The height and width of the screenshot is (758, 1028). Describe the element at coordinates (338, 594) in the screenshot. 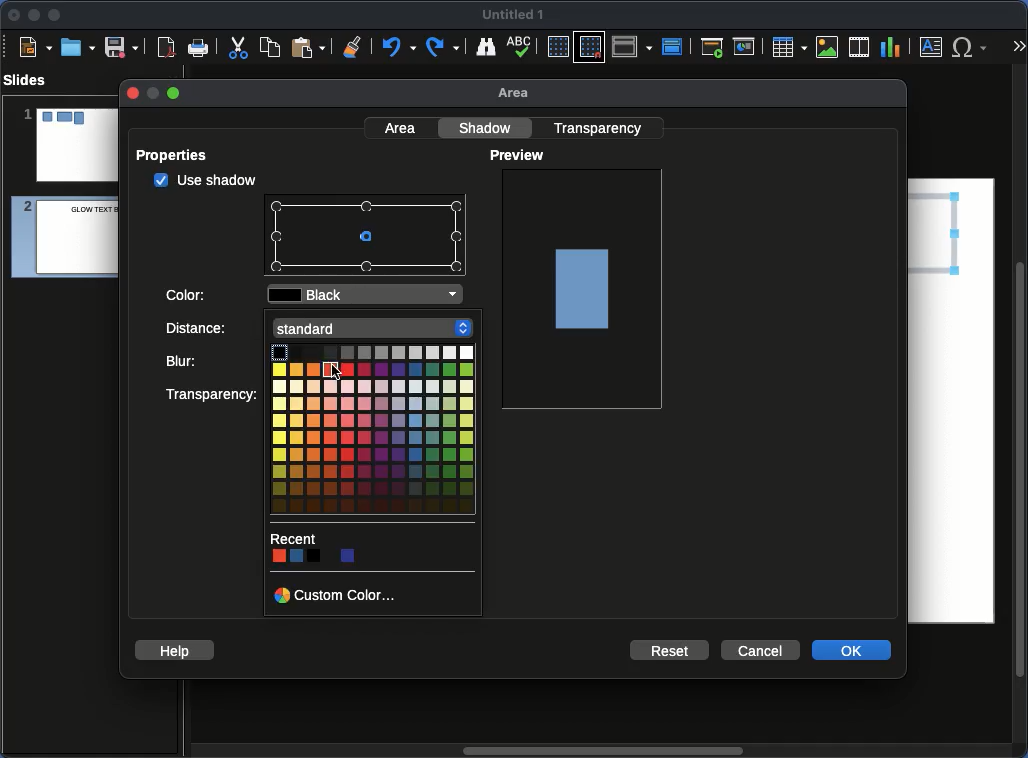

I see `Custom color` at that location.